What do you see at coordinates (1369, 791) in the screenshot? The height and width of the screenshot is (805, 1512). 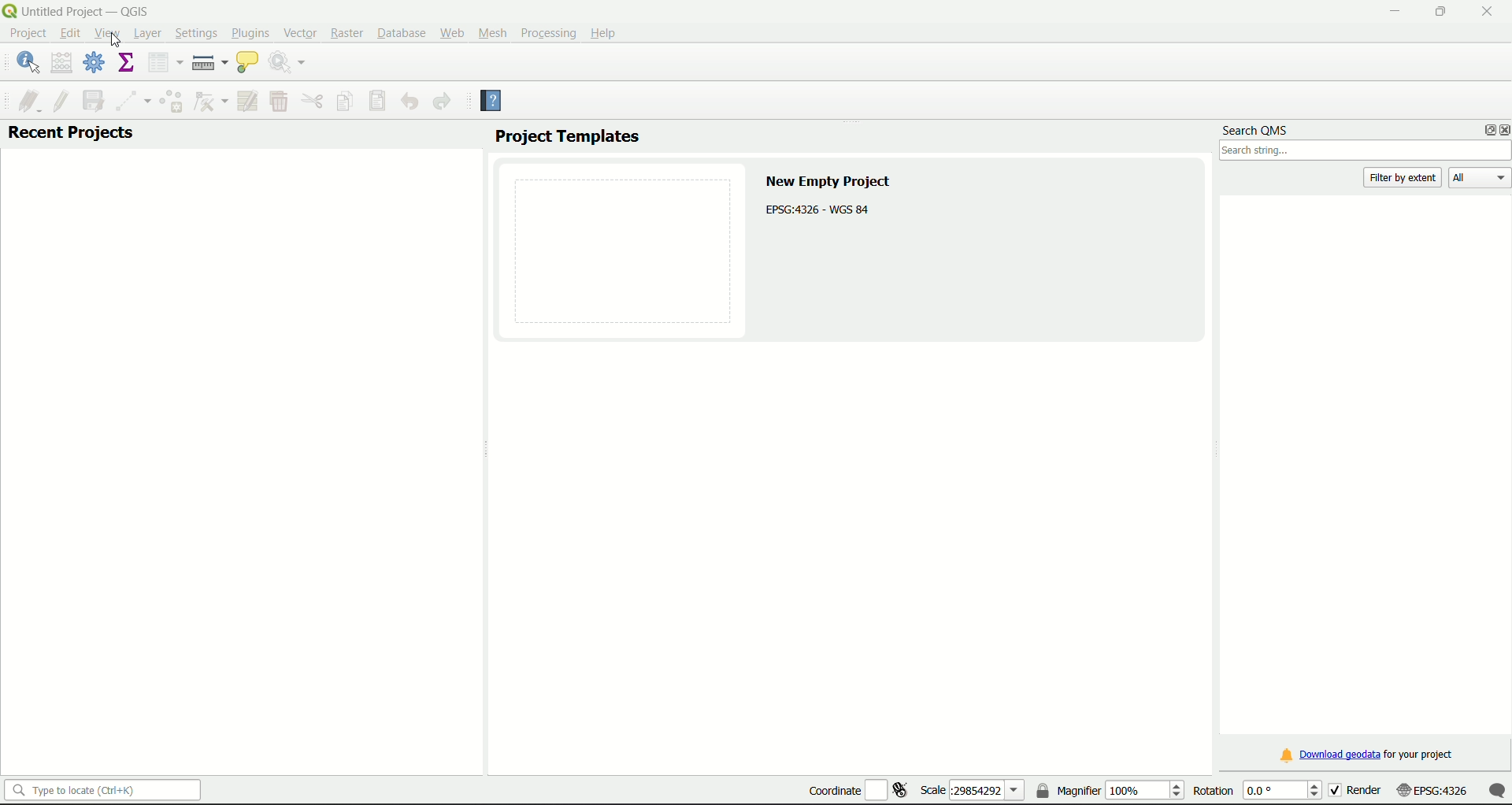 I see `render` at bounding box center [1369, 791].